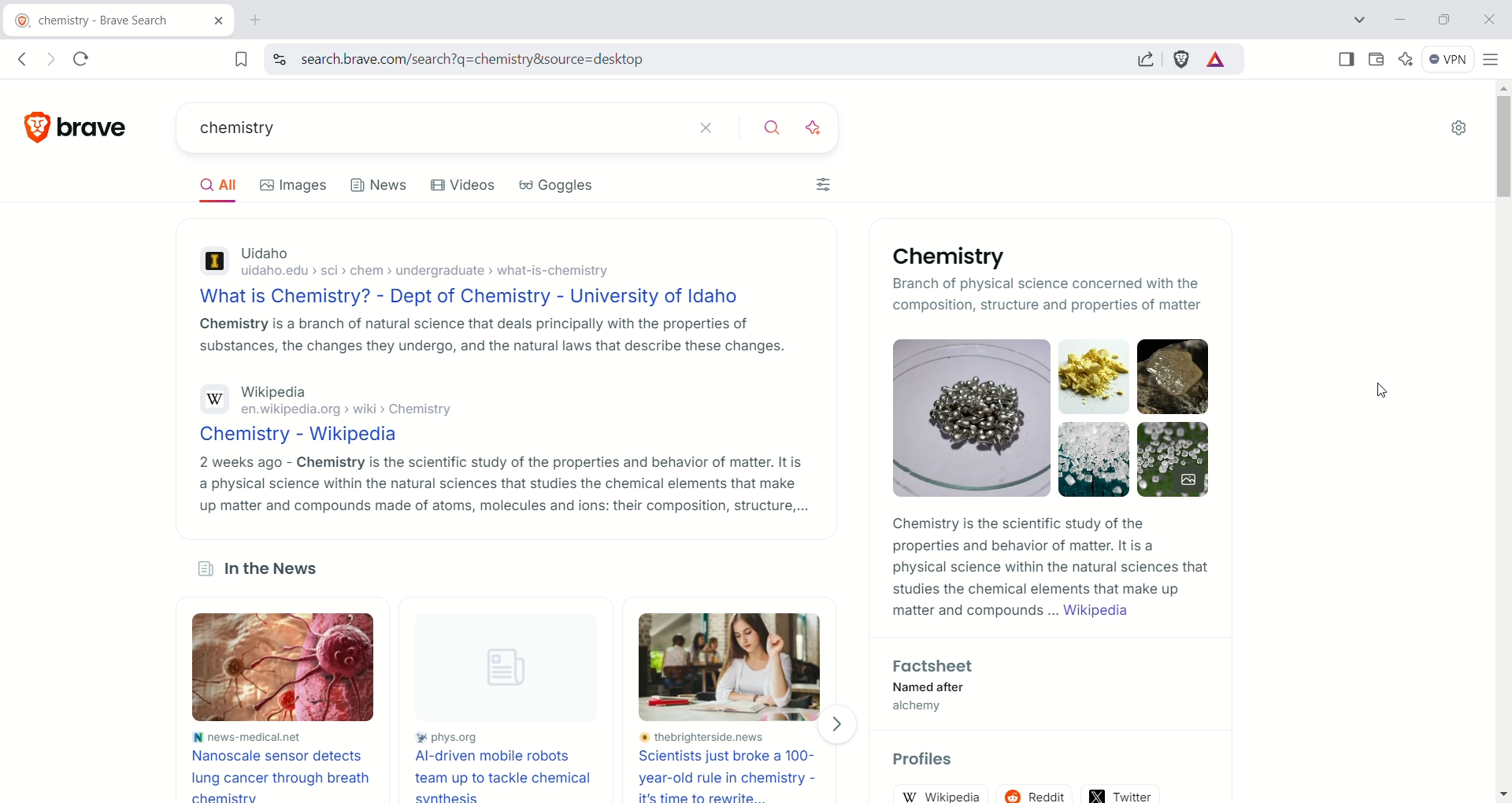 The image size is (1512, 803). I want to click on reload, so click(87, 56).